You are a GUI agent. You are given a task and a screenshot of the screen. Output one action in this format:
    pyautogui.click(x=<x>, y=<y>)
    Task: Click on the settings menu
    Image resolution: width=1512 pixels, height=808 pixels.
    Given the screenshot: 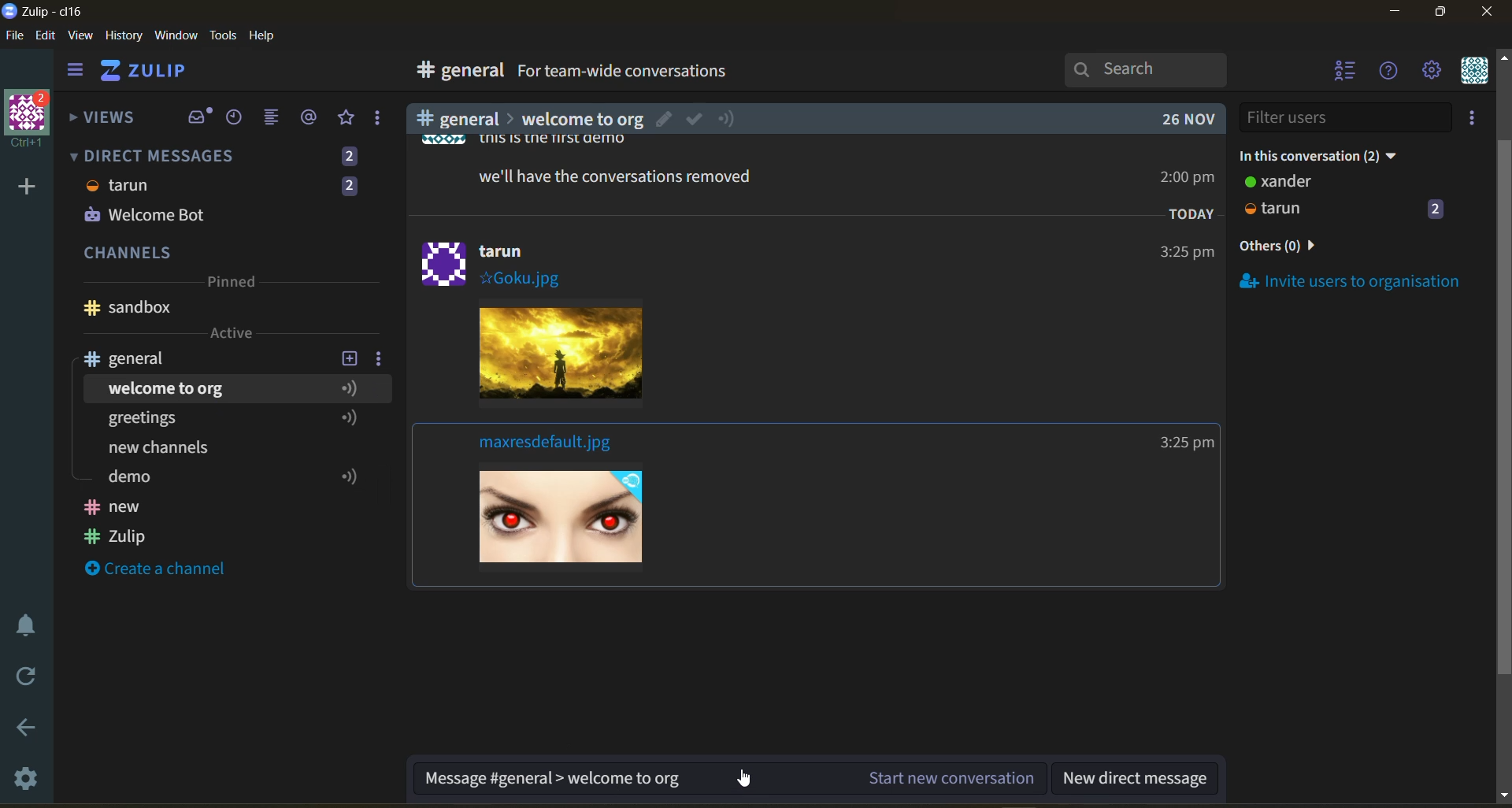 What is the action you would take?
    pyautogui.click(x=1431, y=72)
    